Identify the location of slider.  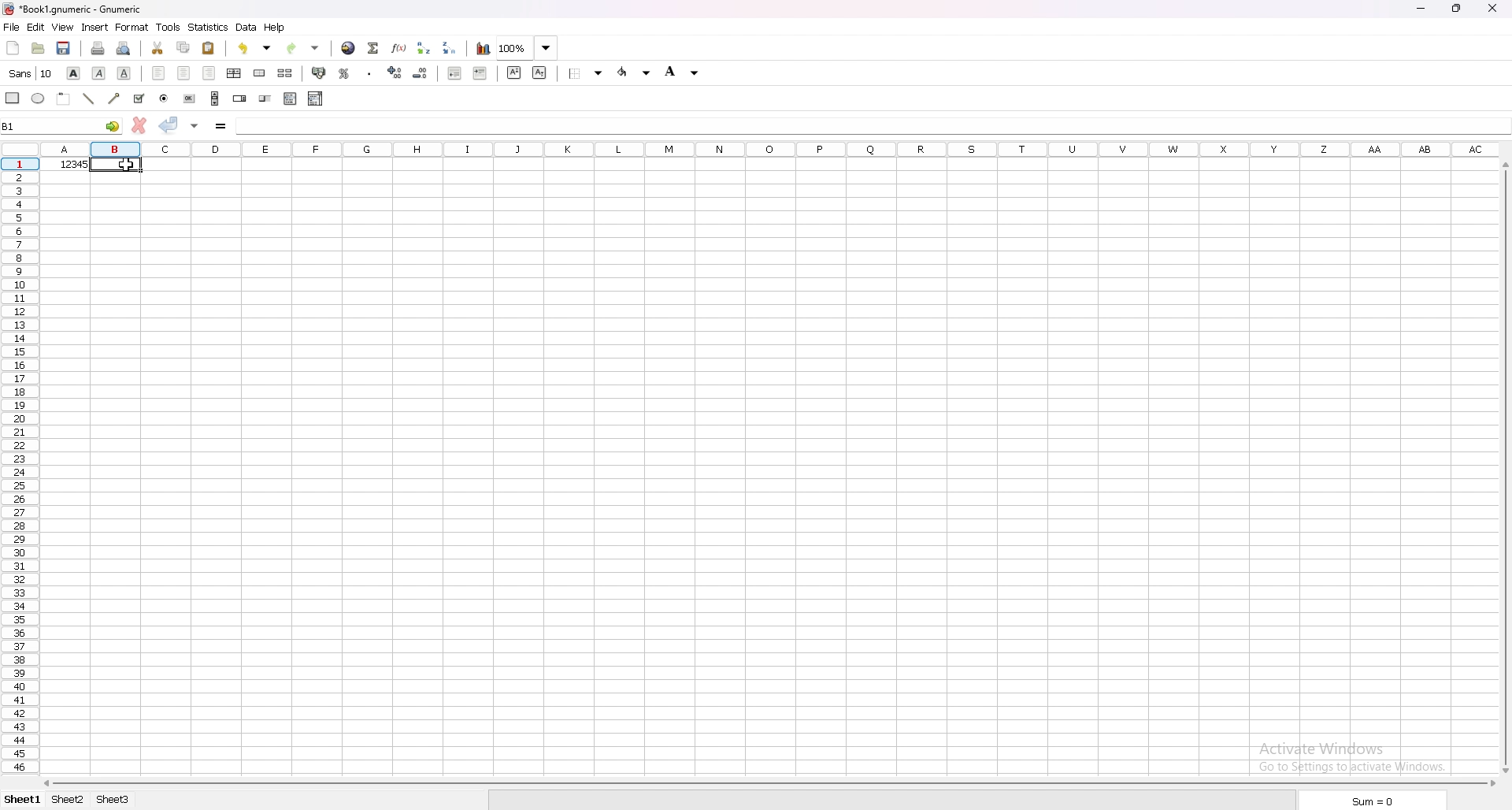
(265, 98).